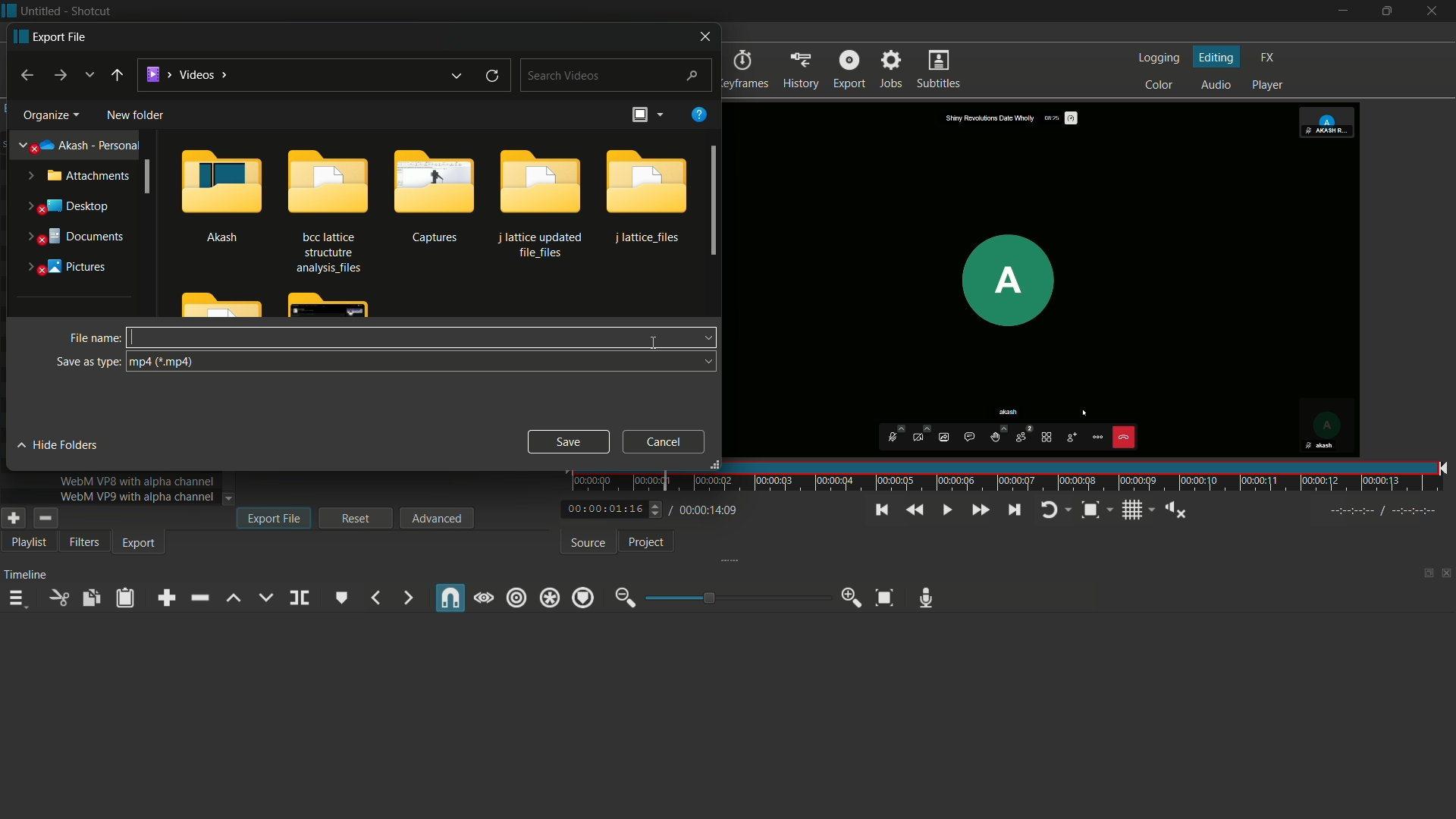 This screenshot has height=819, width=1456. What do you see at coordinates (30, 542) in the screenshot?
I see `playlist` at bounding box center [30, 542].